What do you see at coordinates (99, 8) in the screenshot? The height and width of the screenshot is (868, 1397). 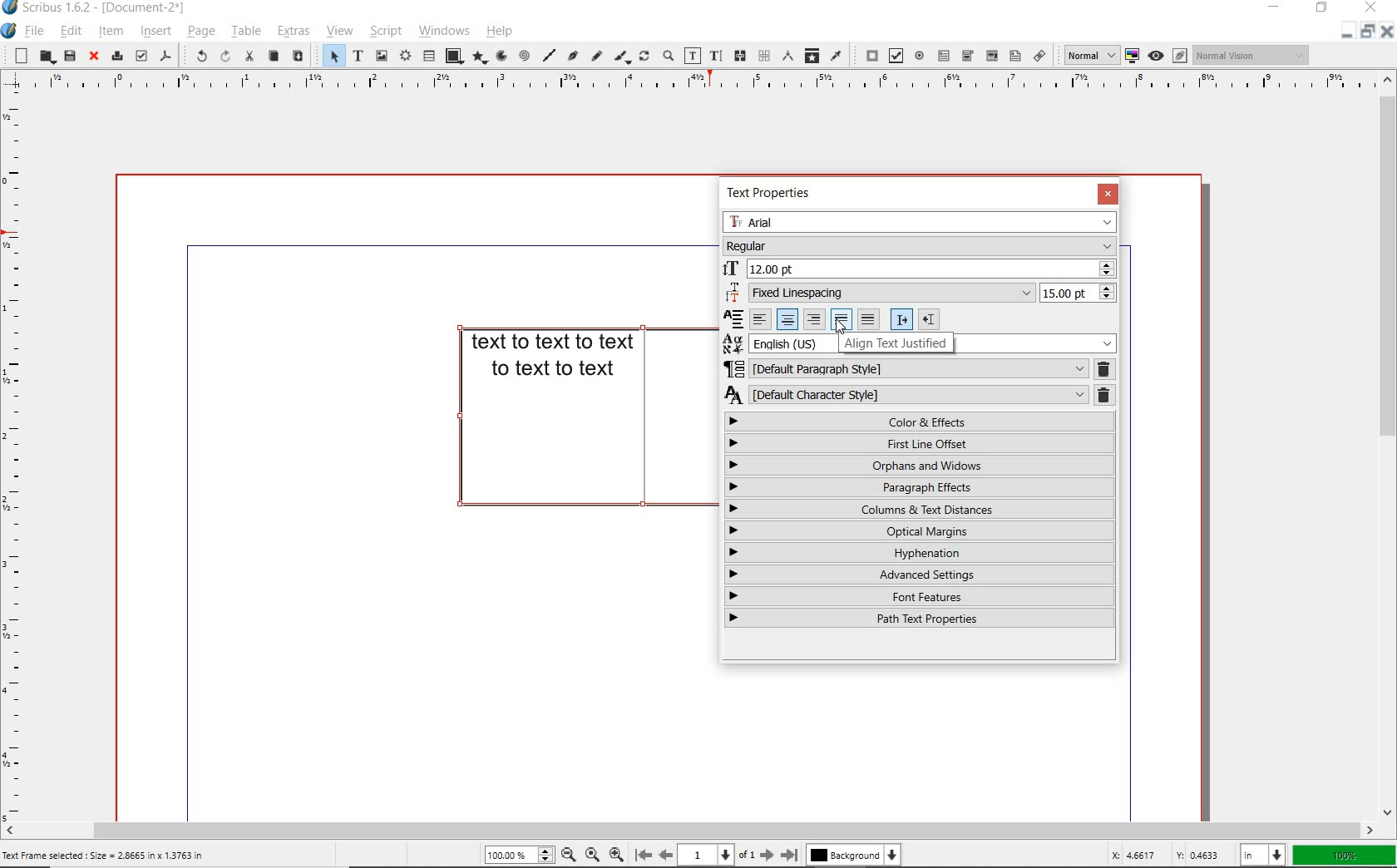 I see ` Scribus 1.6.2 - (Document-2*)` at bounding box center [99, 8].